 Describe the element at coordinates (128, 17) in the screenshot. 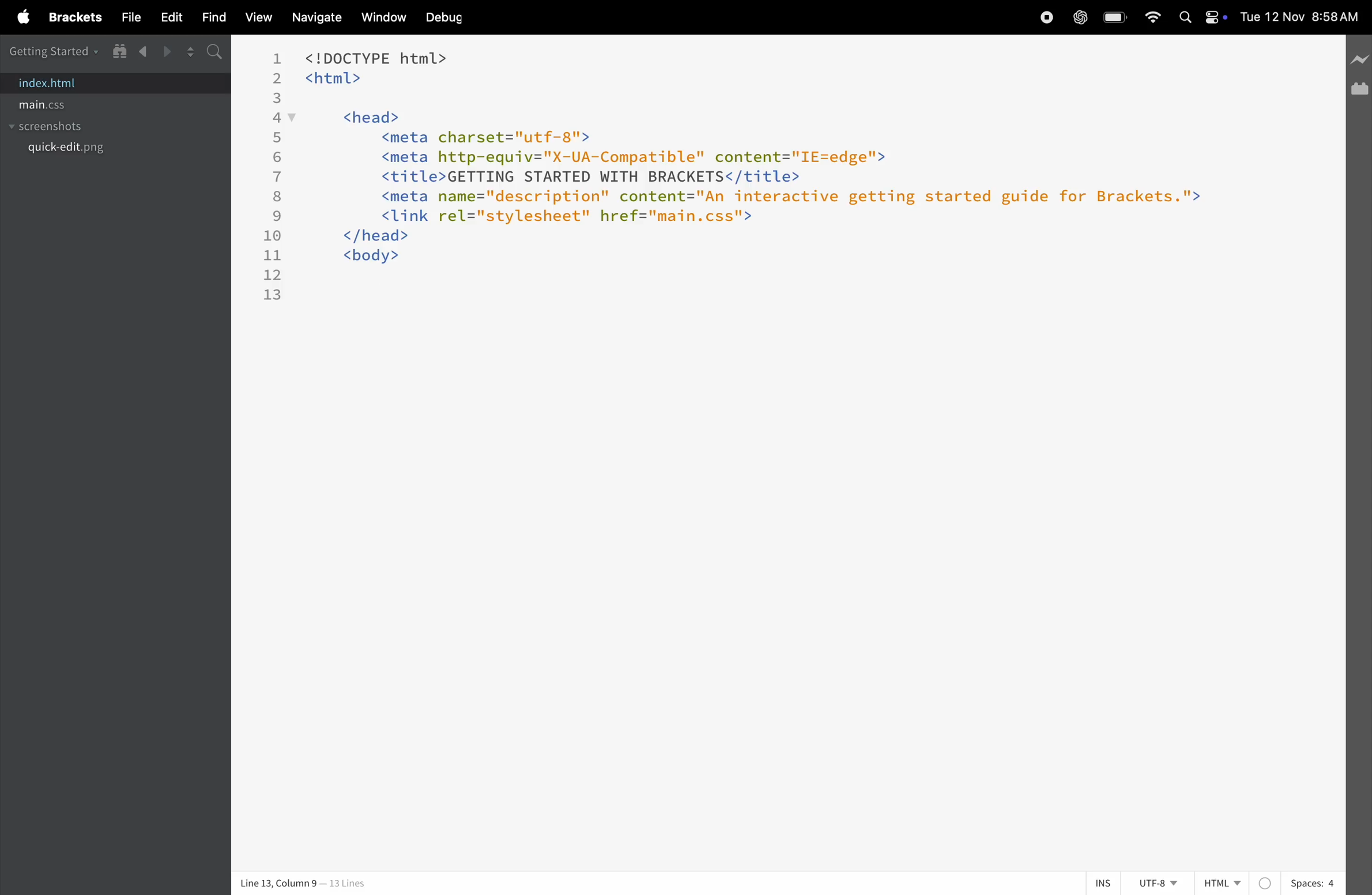

I see `file` at that location.